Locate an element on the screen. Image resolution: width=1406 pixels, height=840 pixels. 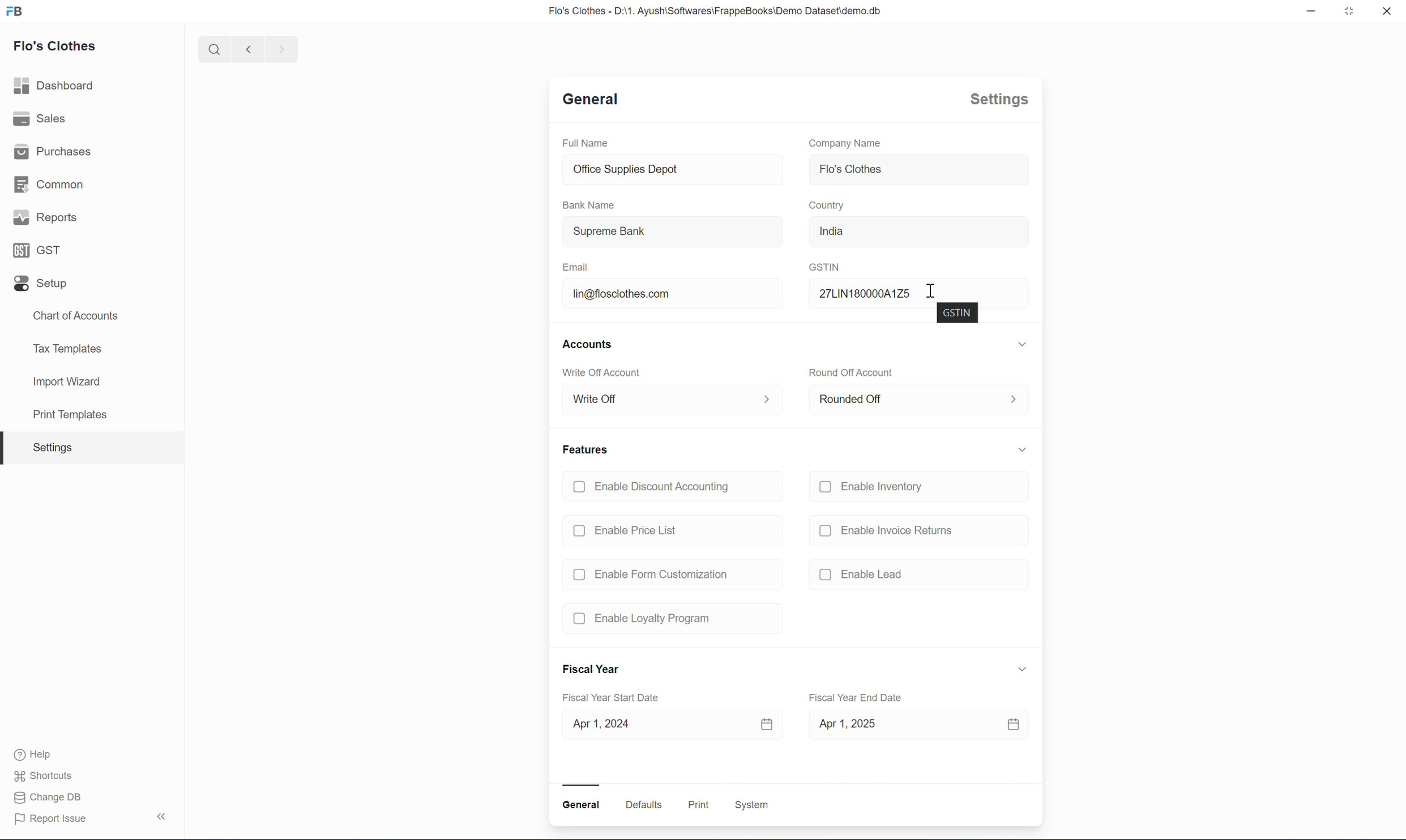
Round Off Account is located at coordinates (855, 373).